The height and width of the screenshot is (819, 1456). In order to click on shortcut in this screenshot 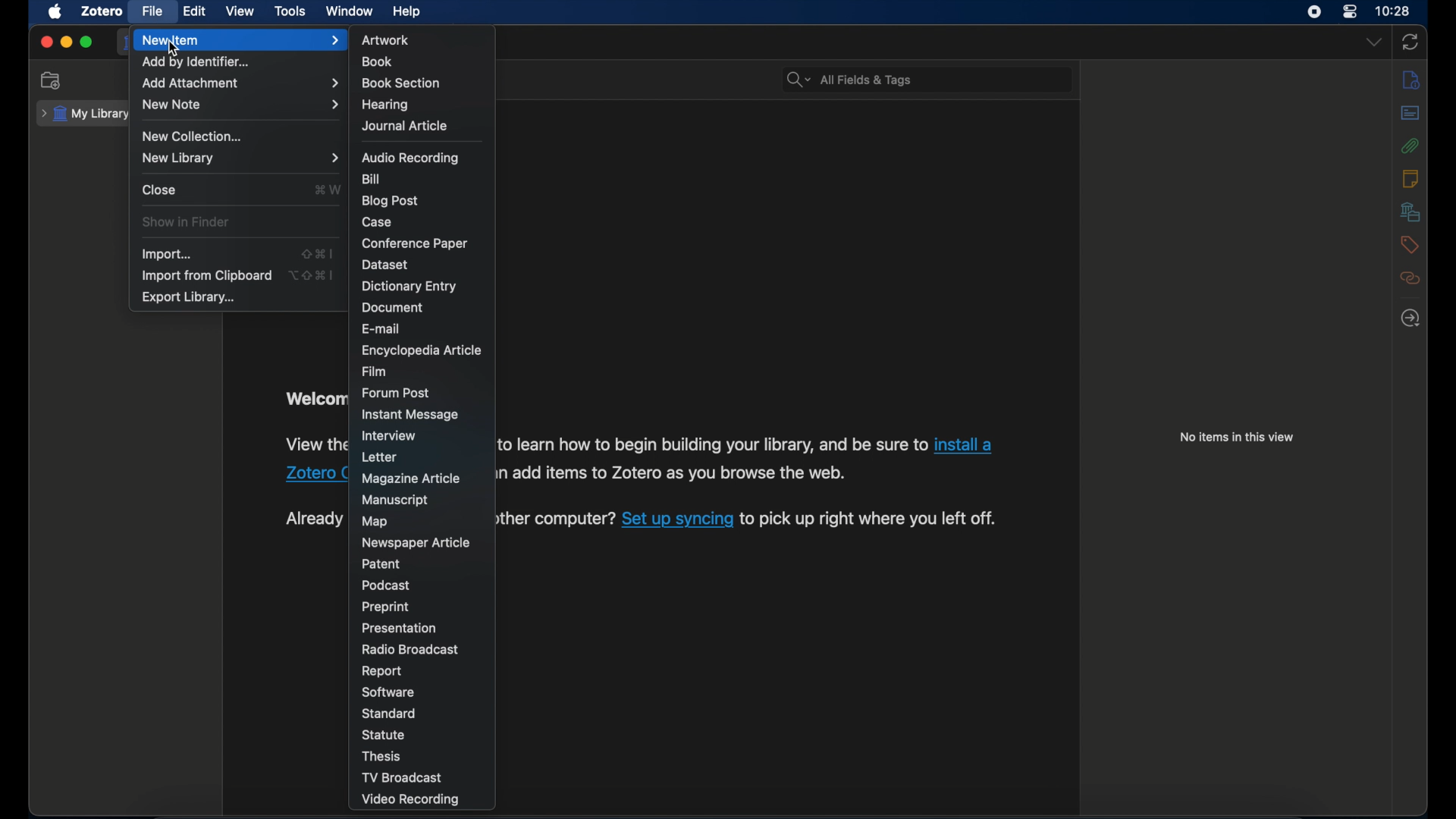, I will do `click(312, 274)`.